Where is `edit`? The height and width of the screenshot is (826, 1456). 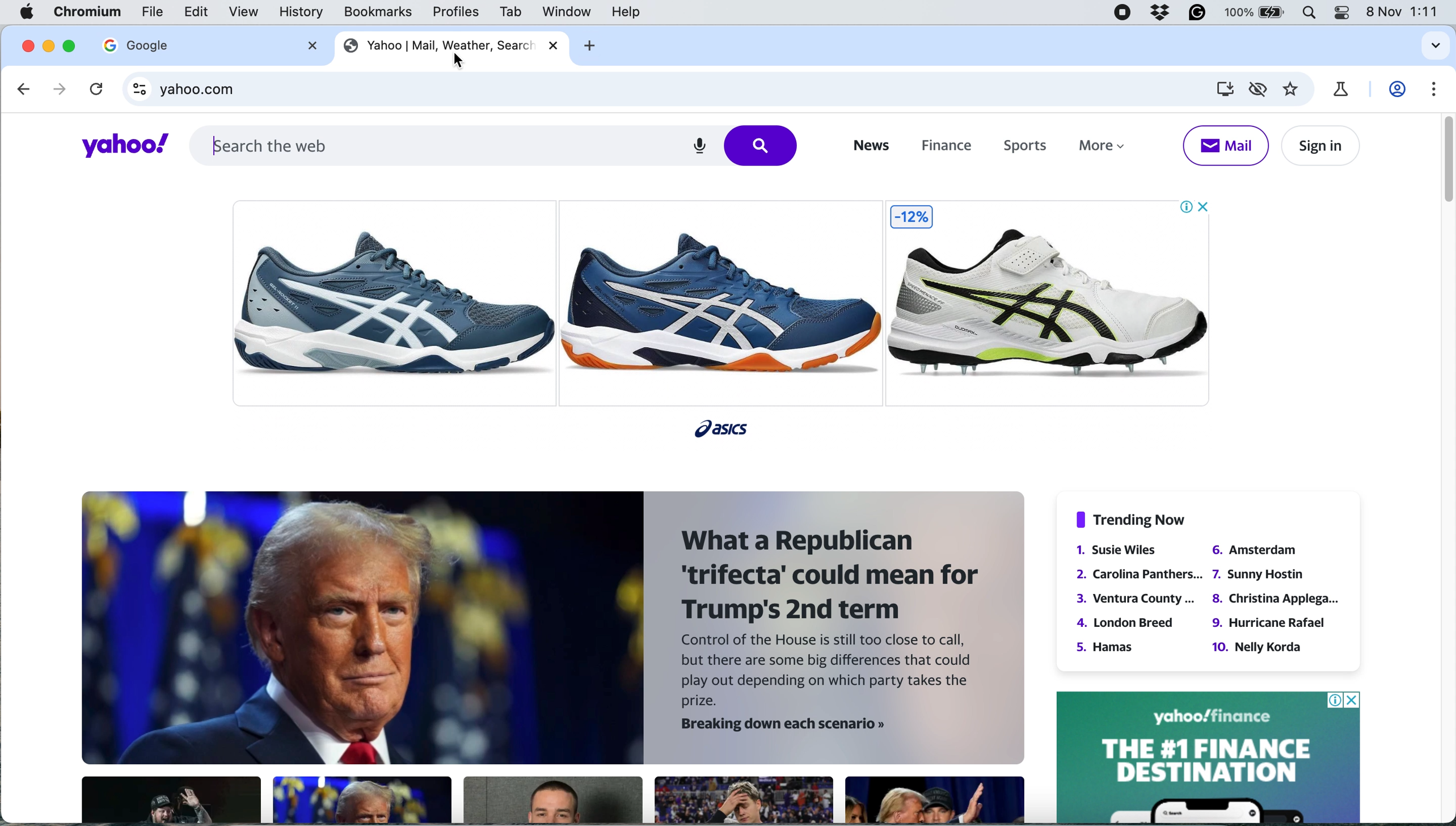 edit is located at coordinates (197, 12).